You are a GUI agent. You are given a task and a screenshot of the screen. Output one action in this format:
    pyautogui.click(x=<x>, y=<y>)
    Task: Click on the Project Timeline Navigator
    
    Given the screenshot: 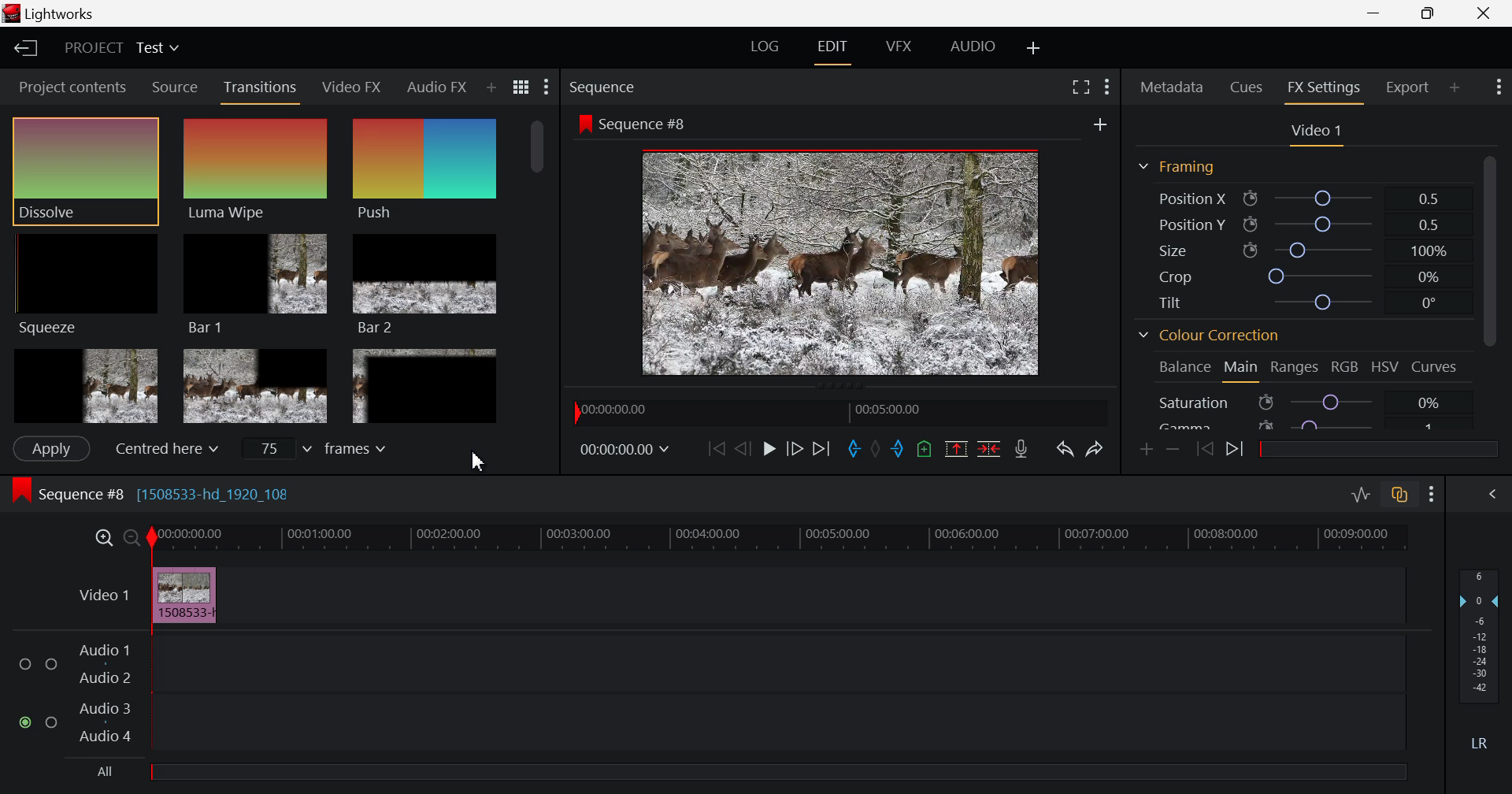 What is the action you would take?
    pyautogui.click(x=836, y=414)
    